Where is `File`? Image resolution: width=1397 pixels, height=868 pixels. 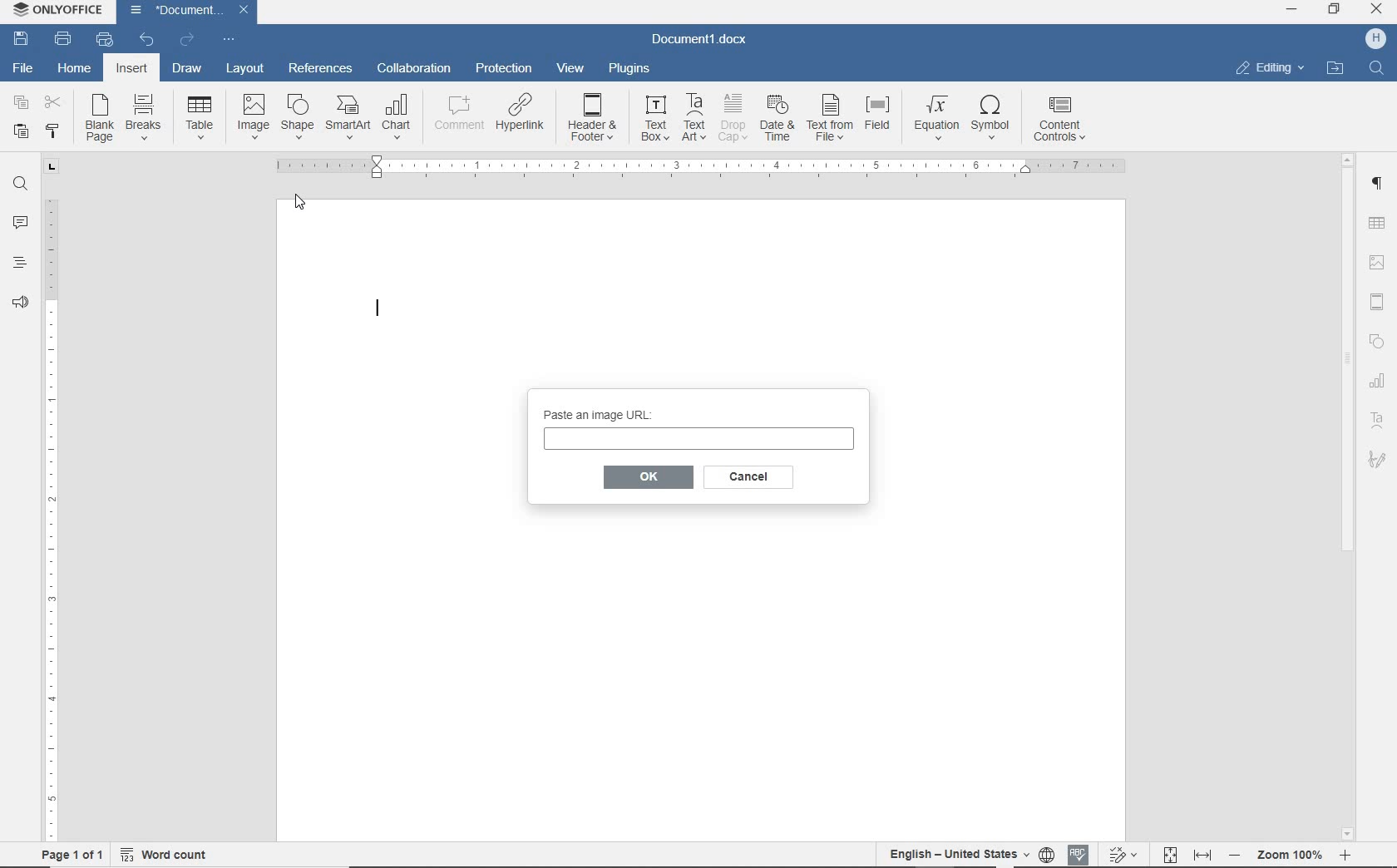 File is located at coordinates (23, 67).